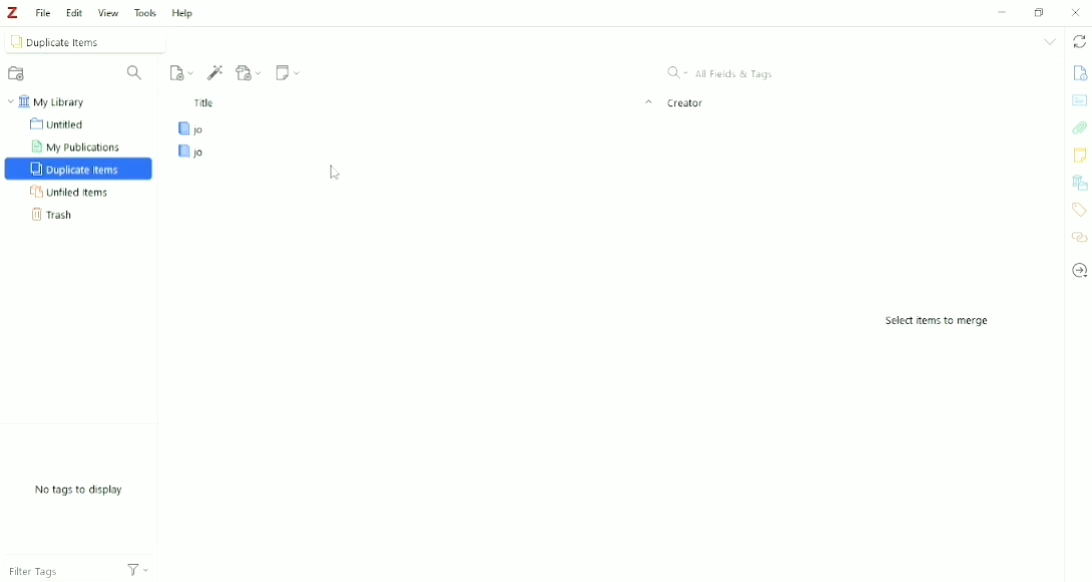  I want to click on Title, so click(421, 103).